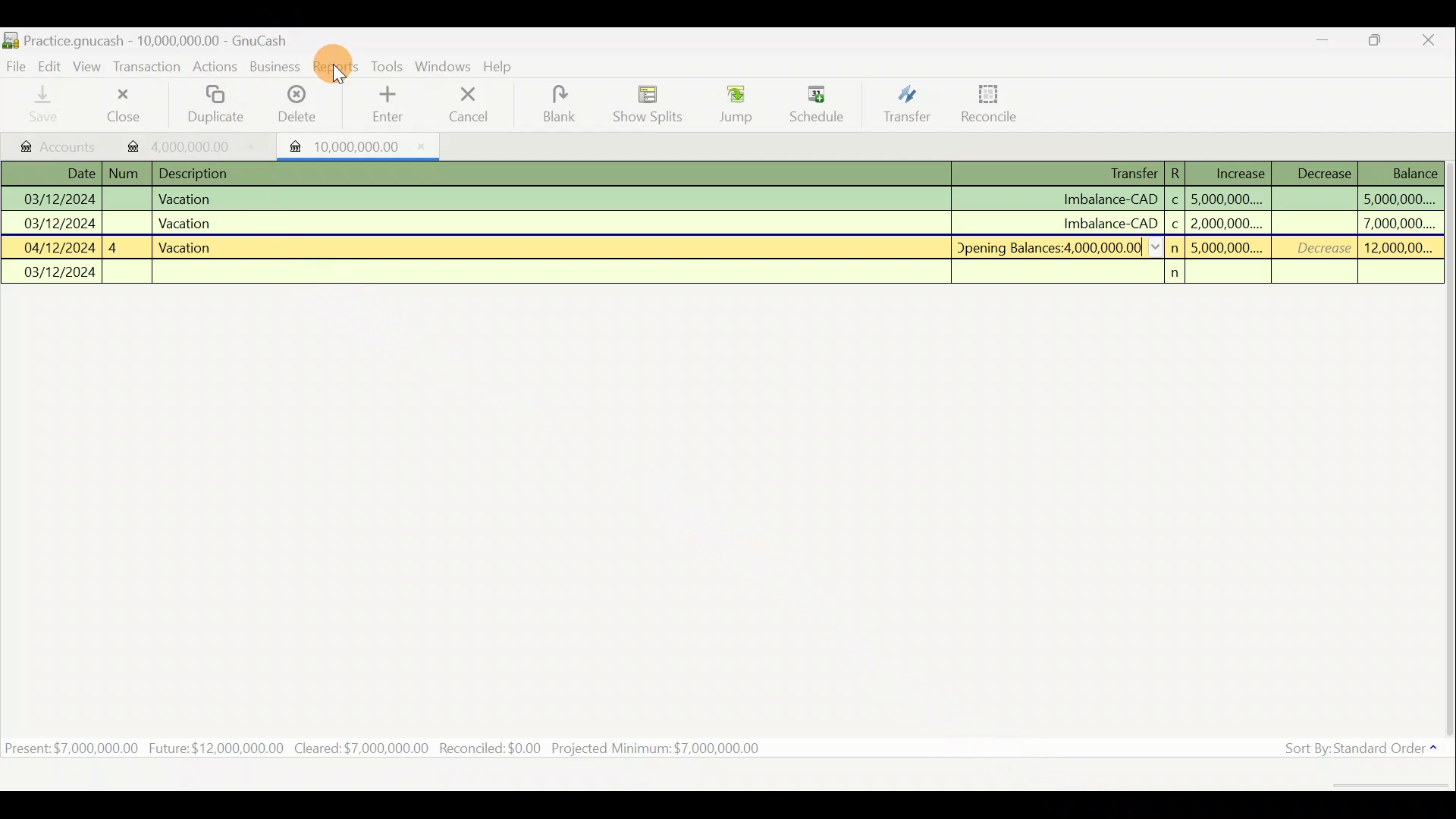 This screenshot has height=819, width=1456. Describe the element at coordinates (818, 99) in the screenshot. I see `Schedule` at that location.